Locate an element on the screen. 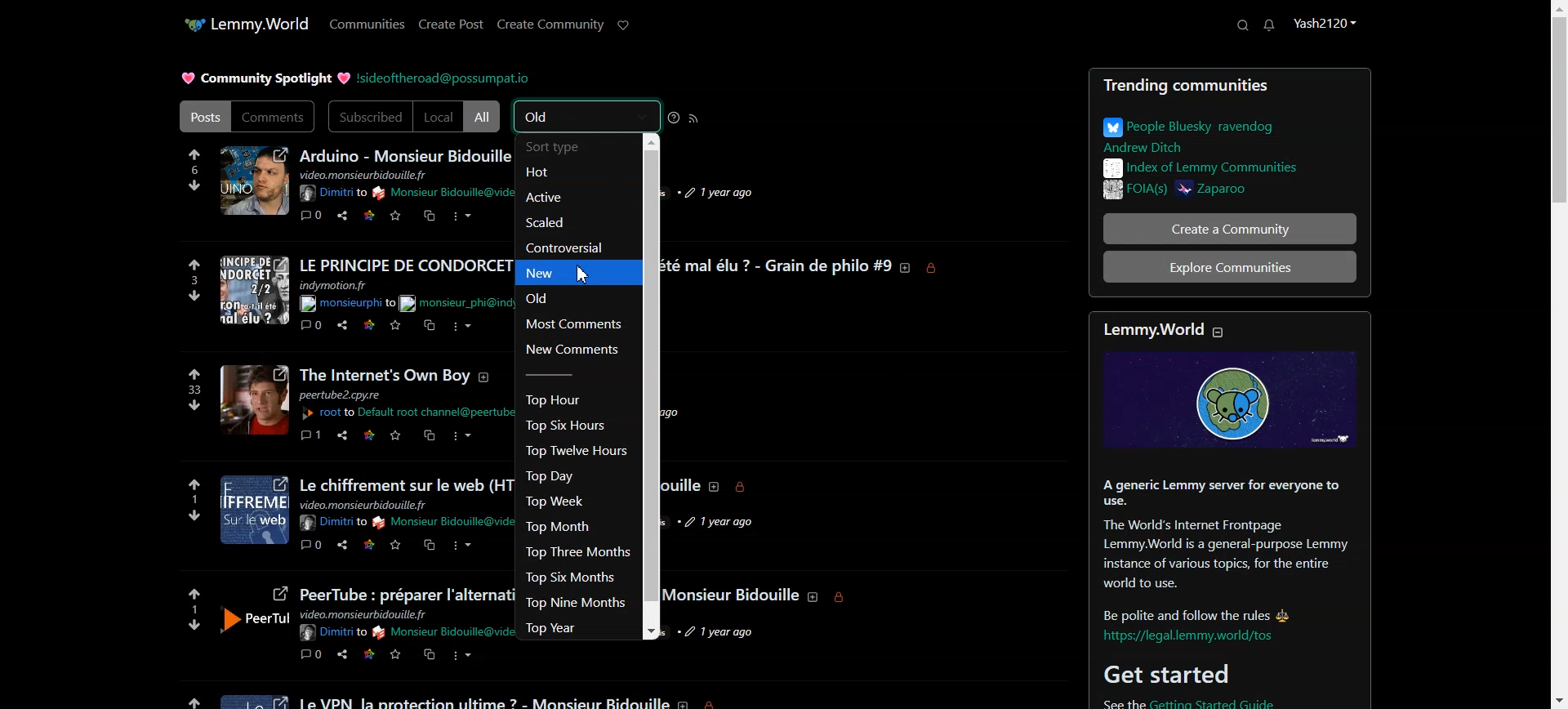  text is located at coordinates (331, 522).